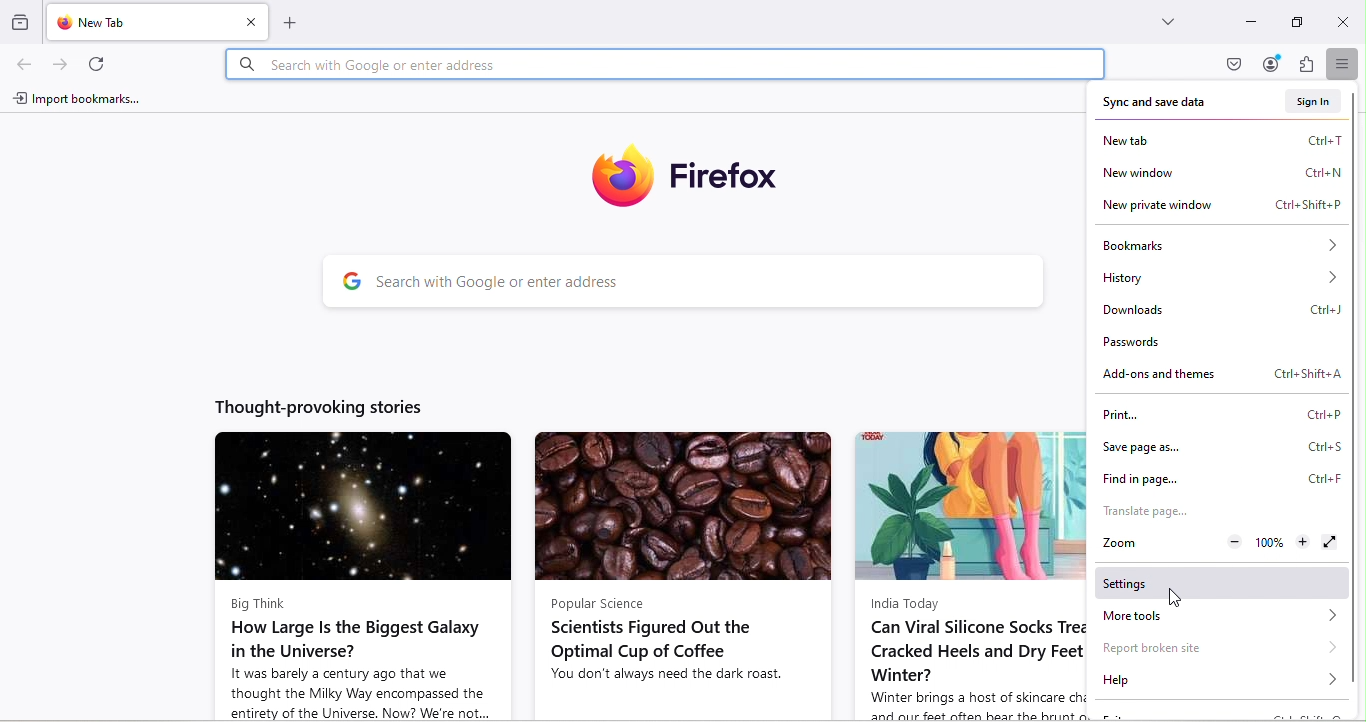 The height and width of the screenshot is (722, 1366). I want to click on Maximize, so click(1295, 23).